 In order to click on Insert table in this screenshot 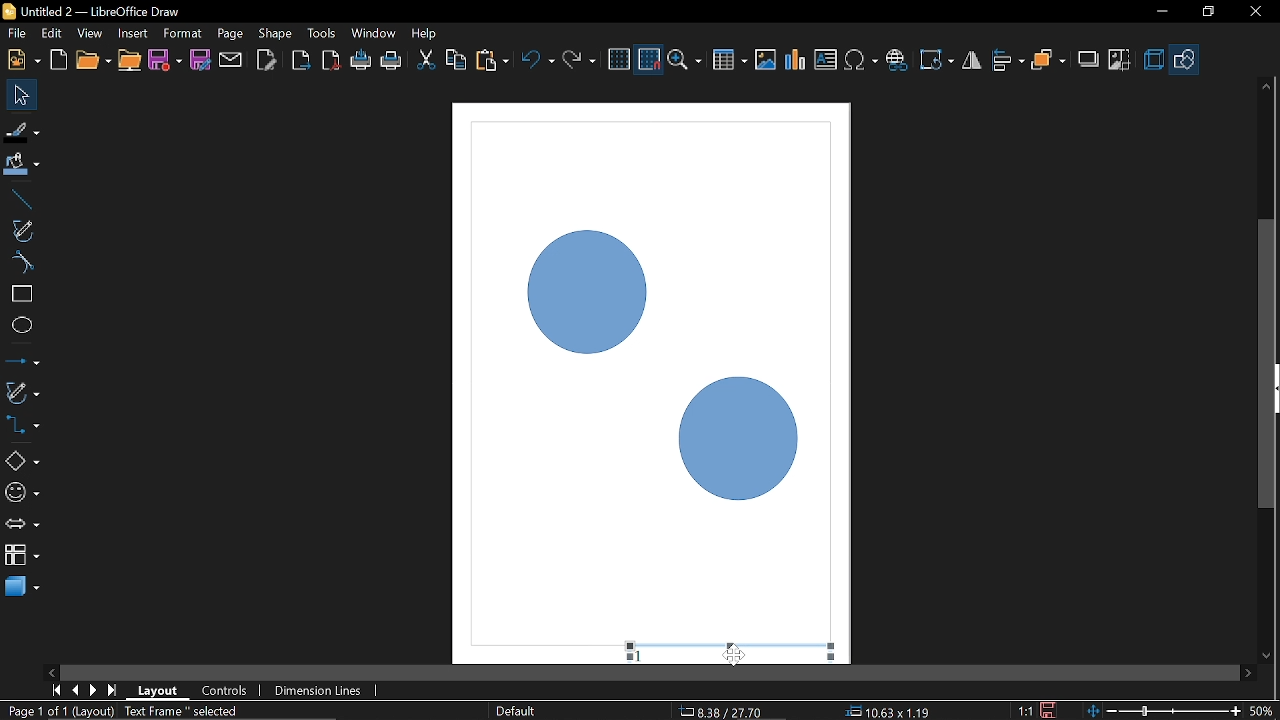, I will do `click(730, 61)`.